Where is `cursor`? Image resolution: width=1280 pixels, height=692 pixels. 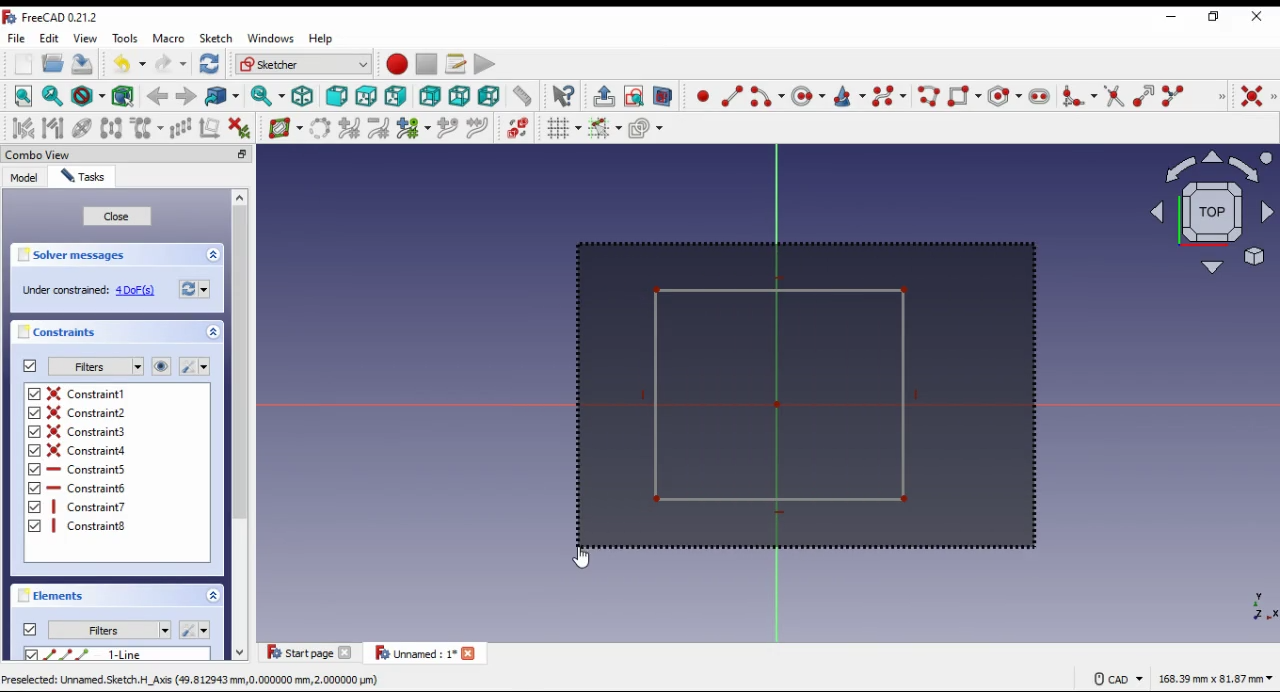 cursor is located at coordinates (584, 556).